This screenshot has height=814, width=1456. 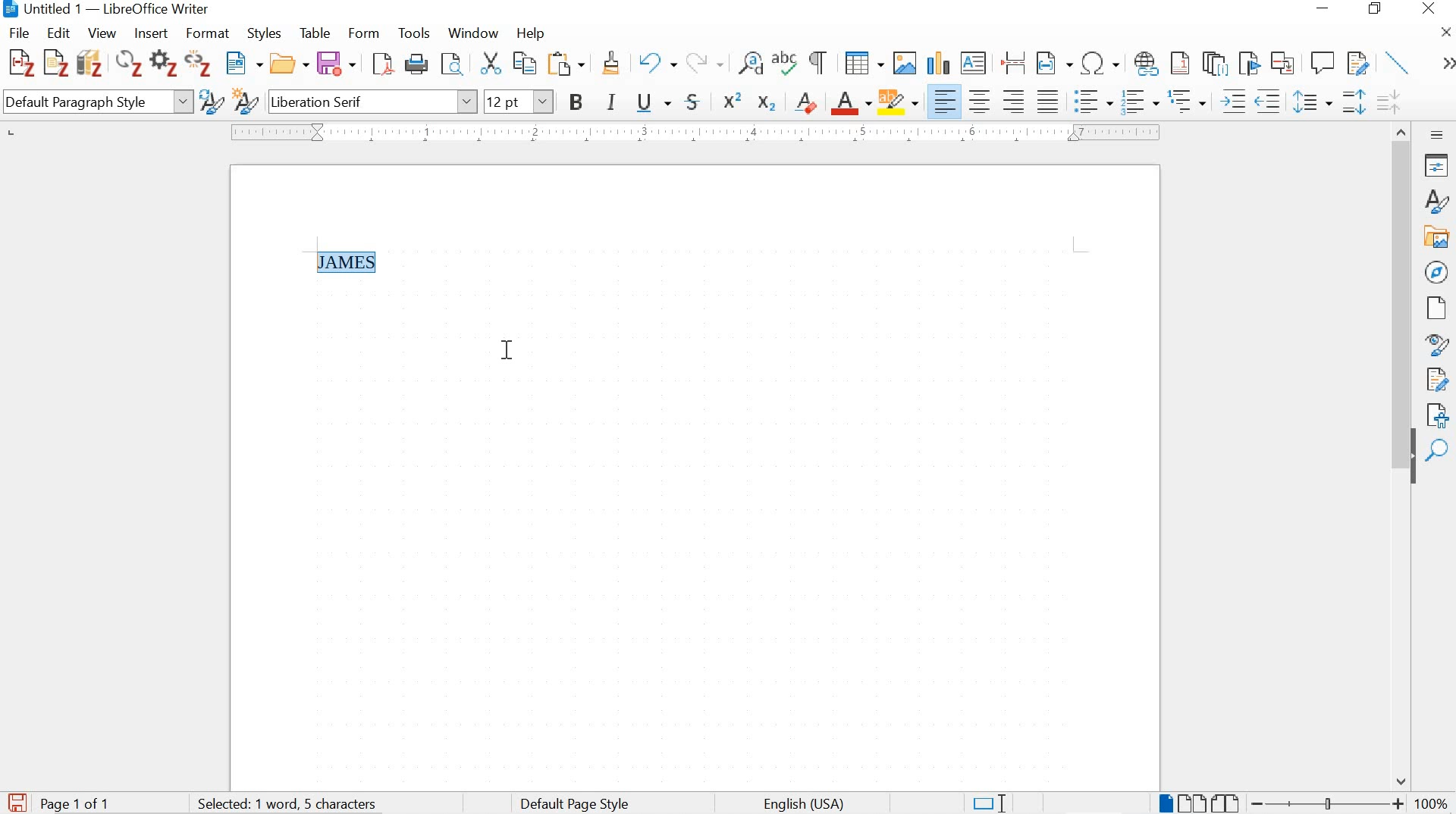 What do you see at coordinates (1188, 102) in the screenshot?
I see `outline format` at bounding box center [1188, 102].